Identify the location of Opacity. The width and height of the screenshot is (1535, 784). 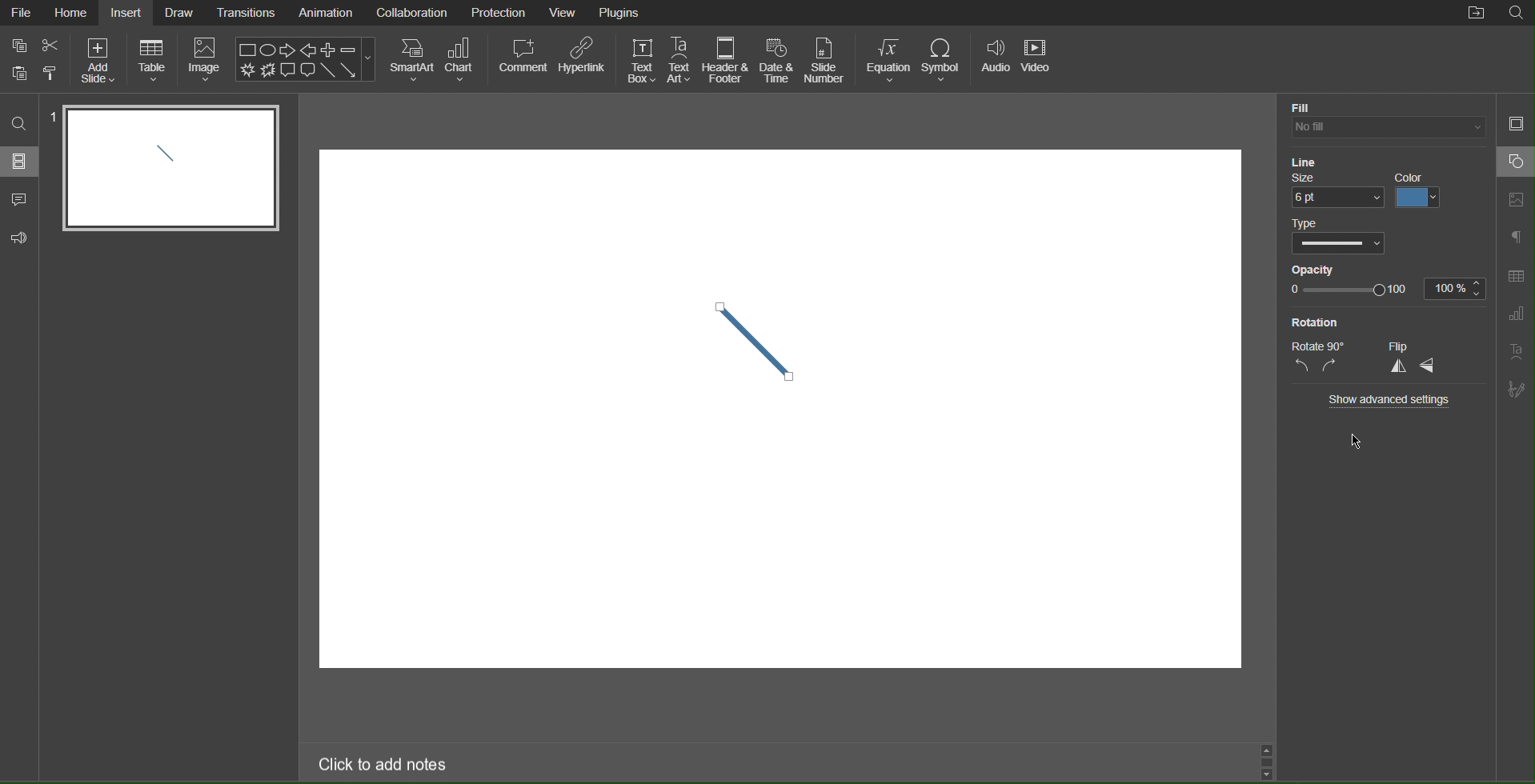
(1311, 268).